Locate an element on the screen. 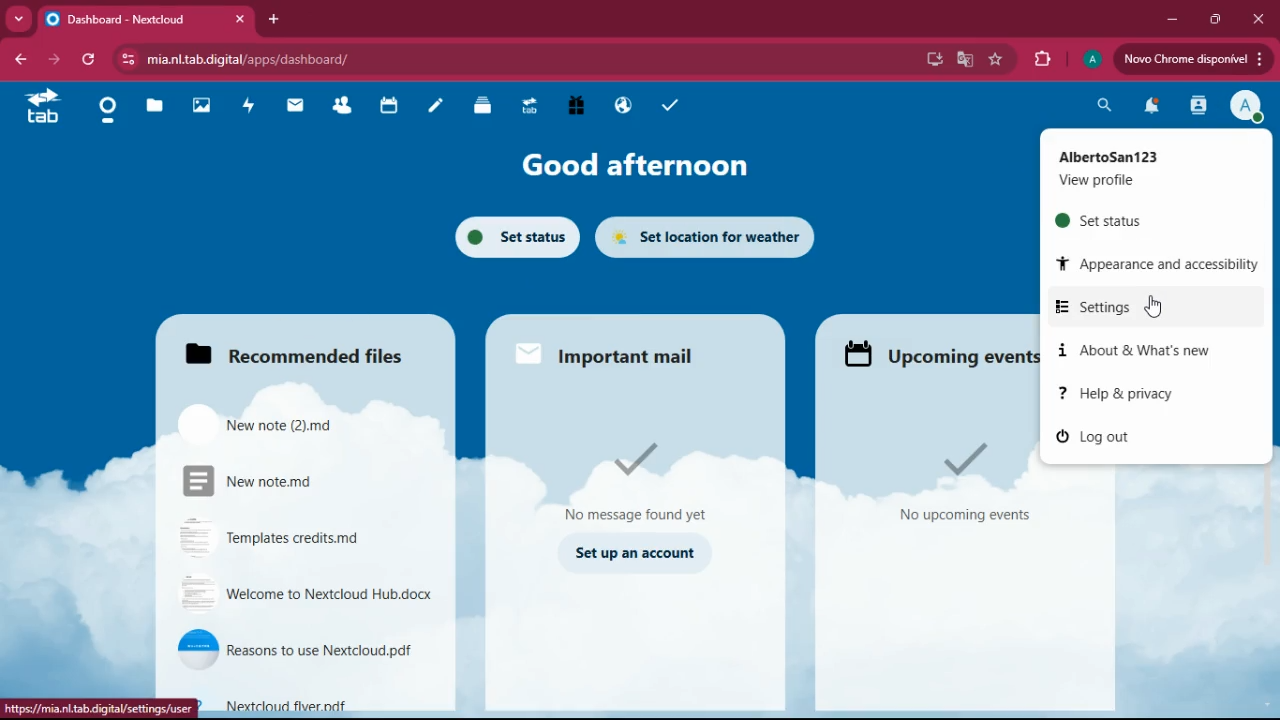 This screenshot has width=1280, height=720. help is located at coordinates (1147, 394).